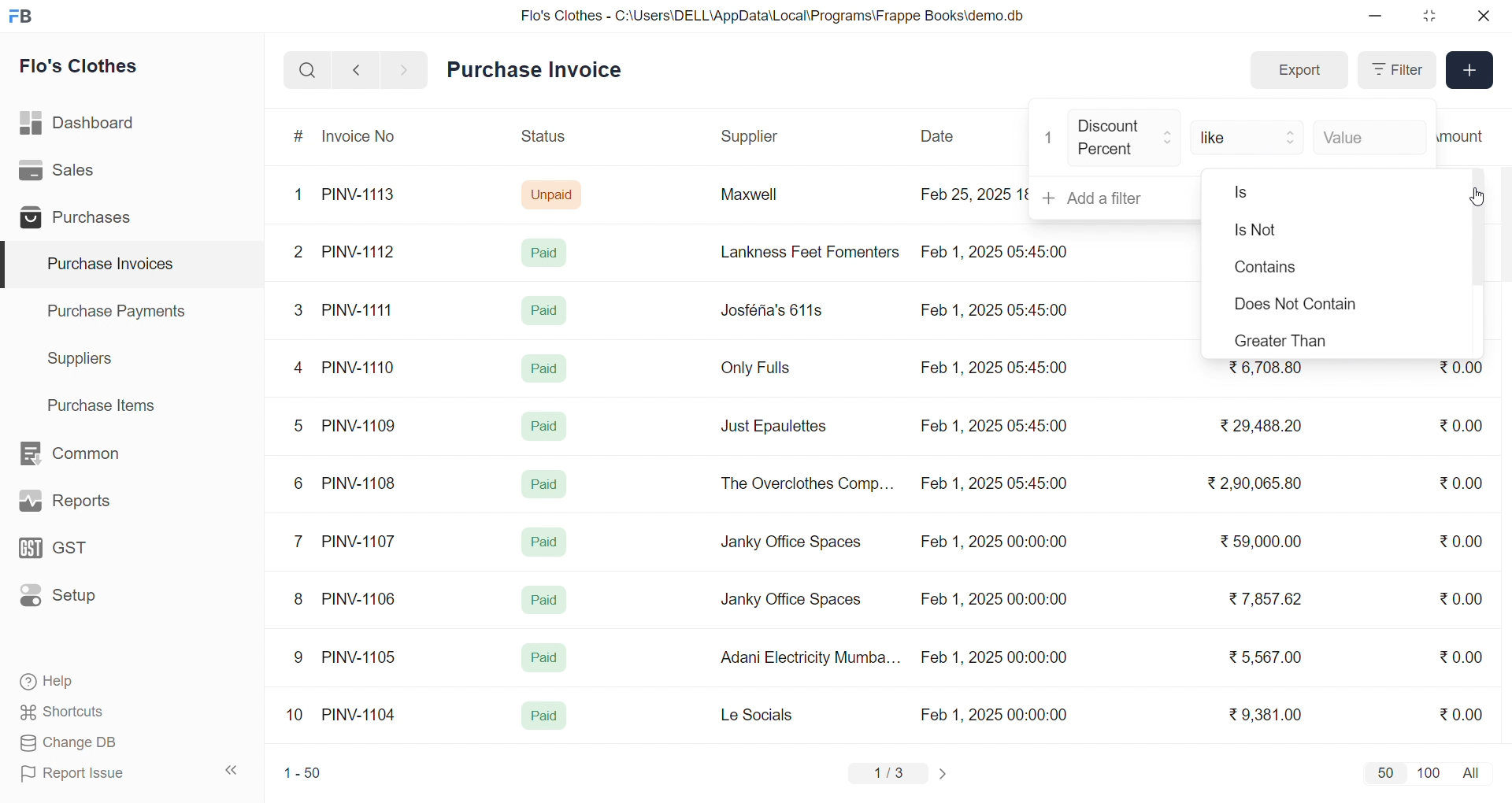  I want to click on Discount Percent, so click(1125, 139).